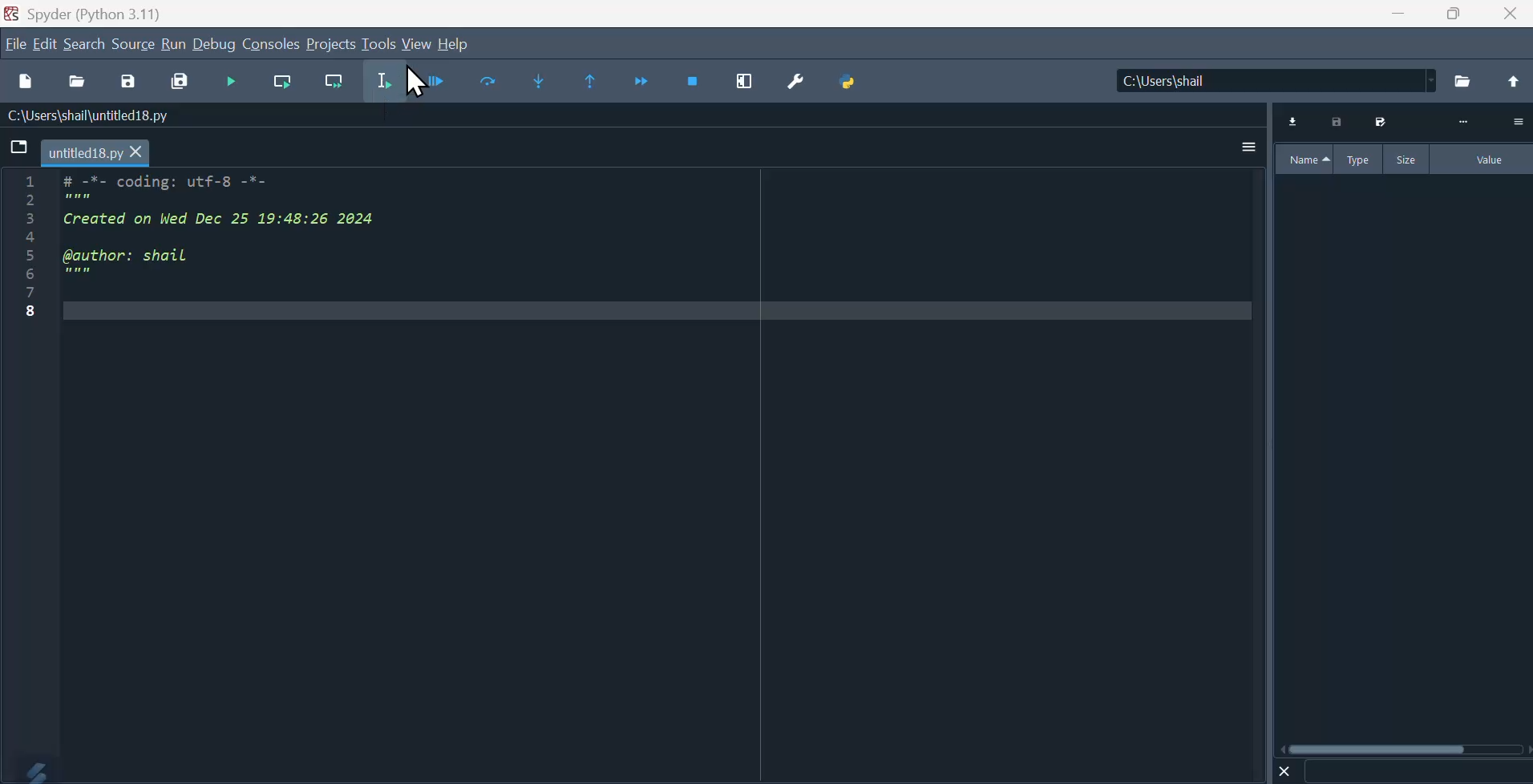 Image resolution: width=1533 pixels, height=784 pixels. I want to click on Source, so click(134, 43).